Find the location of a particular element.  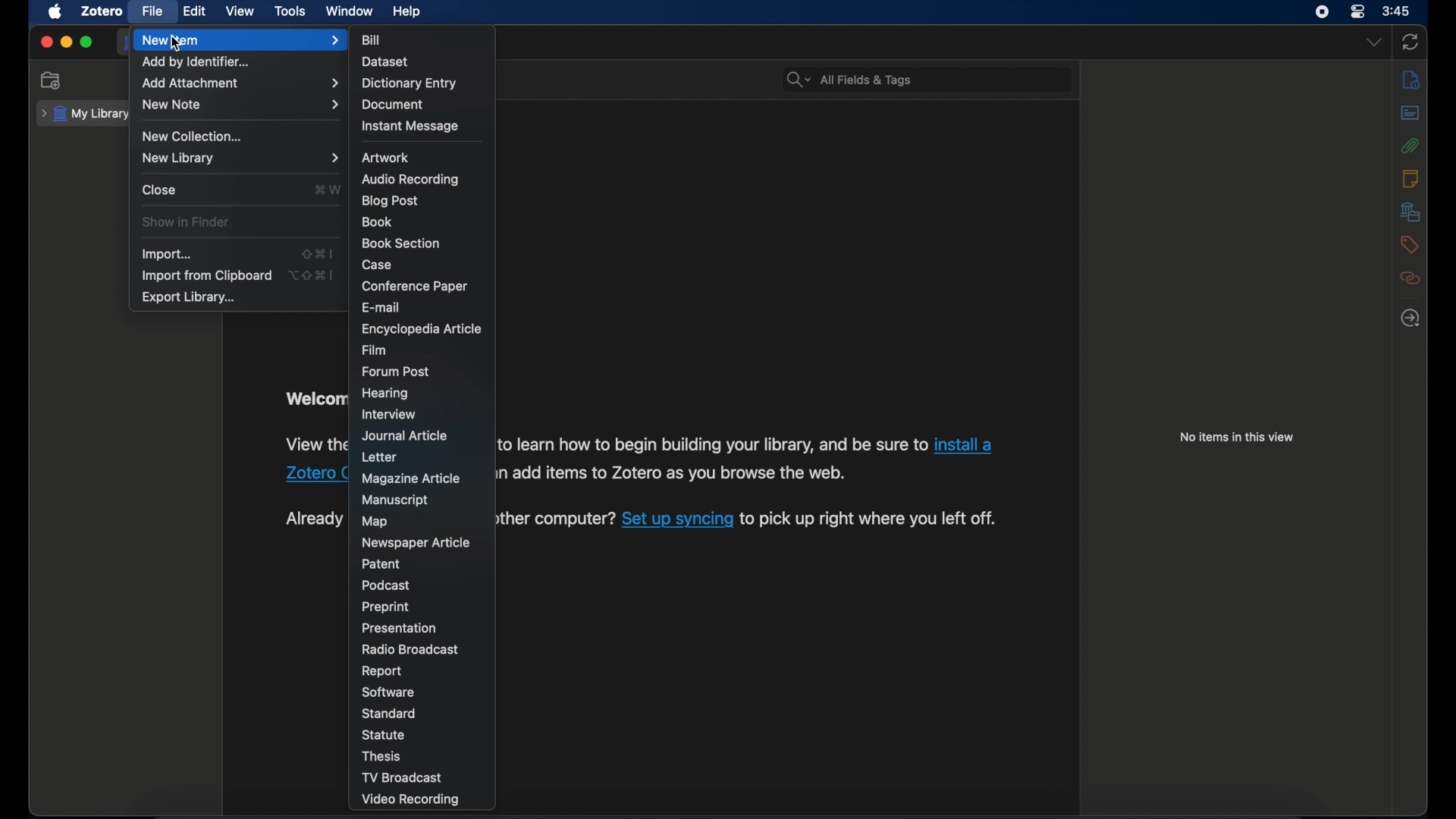

cursor is located at coordinates (176, 45).